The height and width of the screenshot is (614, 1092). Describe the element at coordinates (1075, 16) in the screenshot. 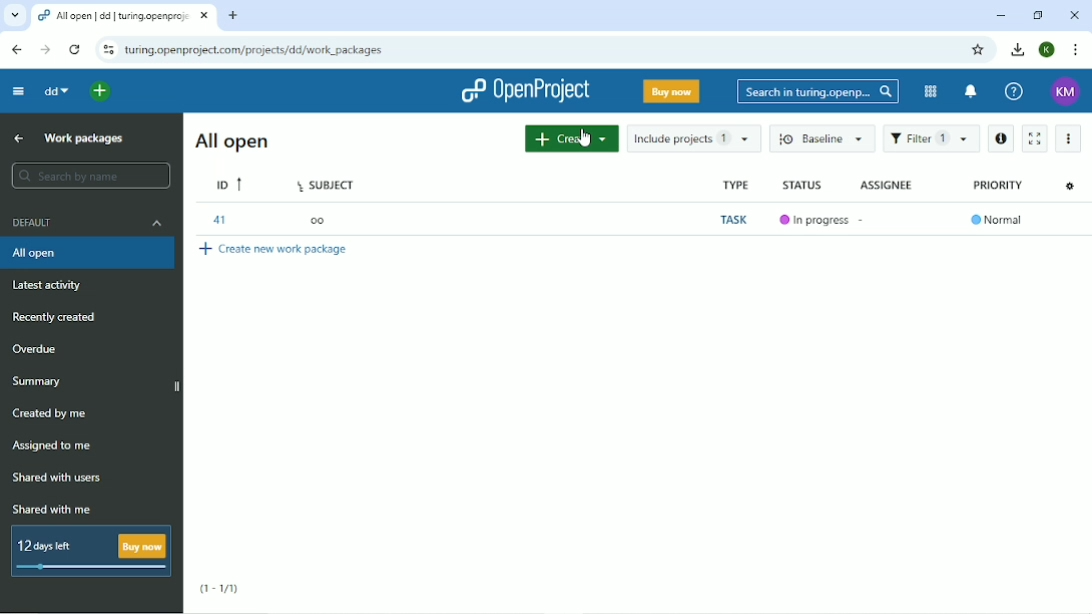

I see `Close` at that location.